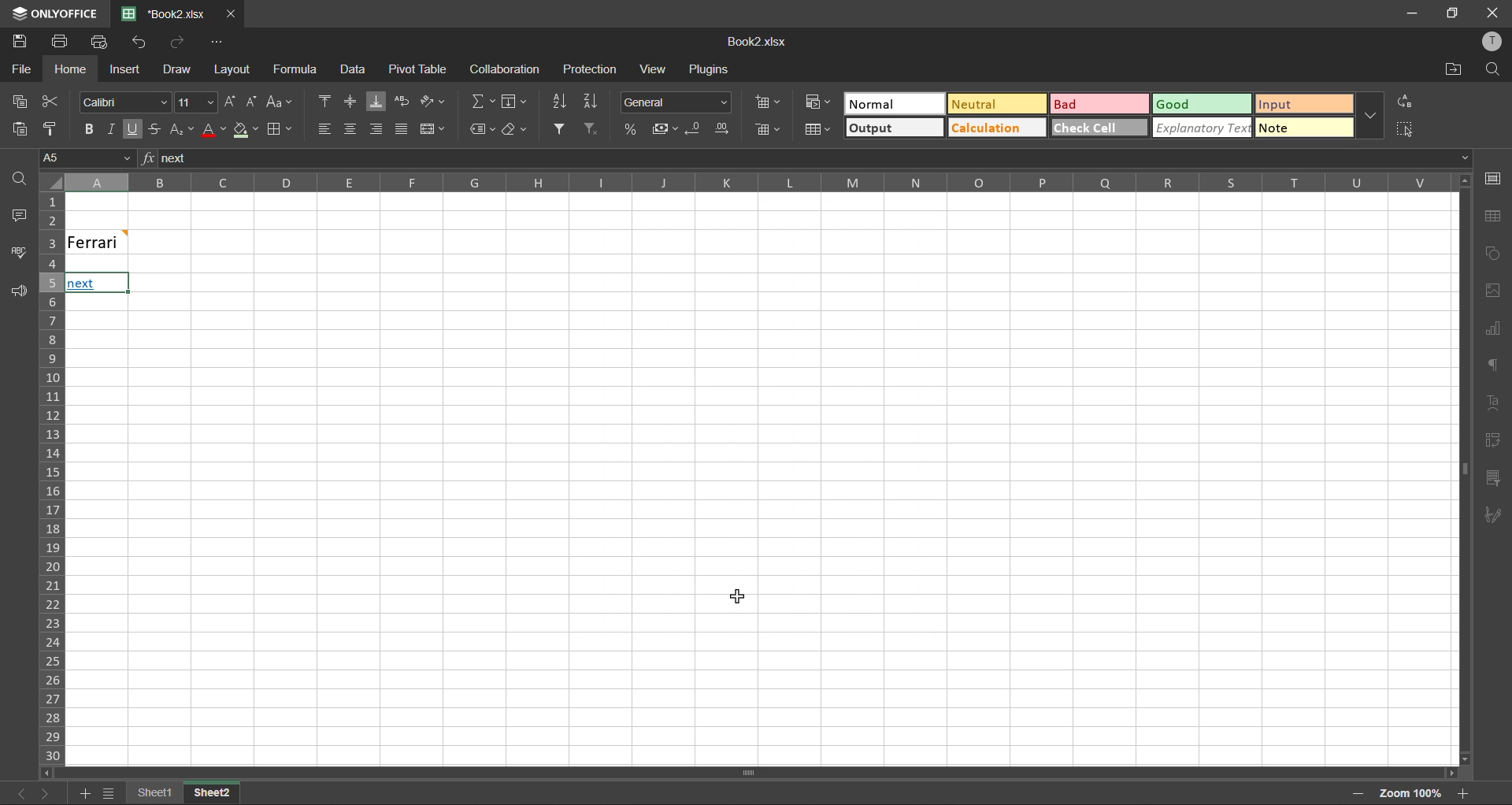 The width and height of the screenshot is (1512, 805). What do you see at coordinates (152, 129) in the screenshot?
I see `strikethrough` at bounding box center [152, 129].